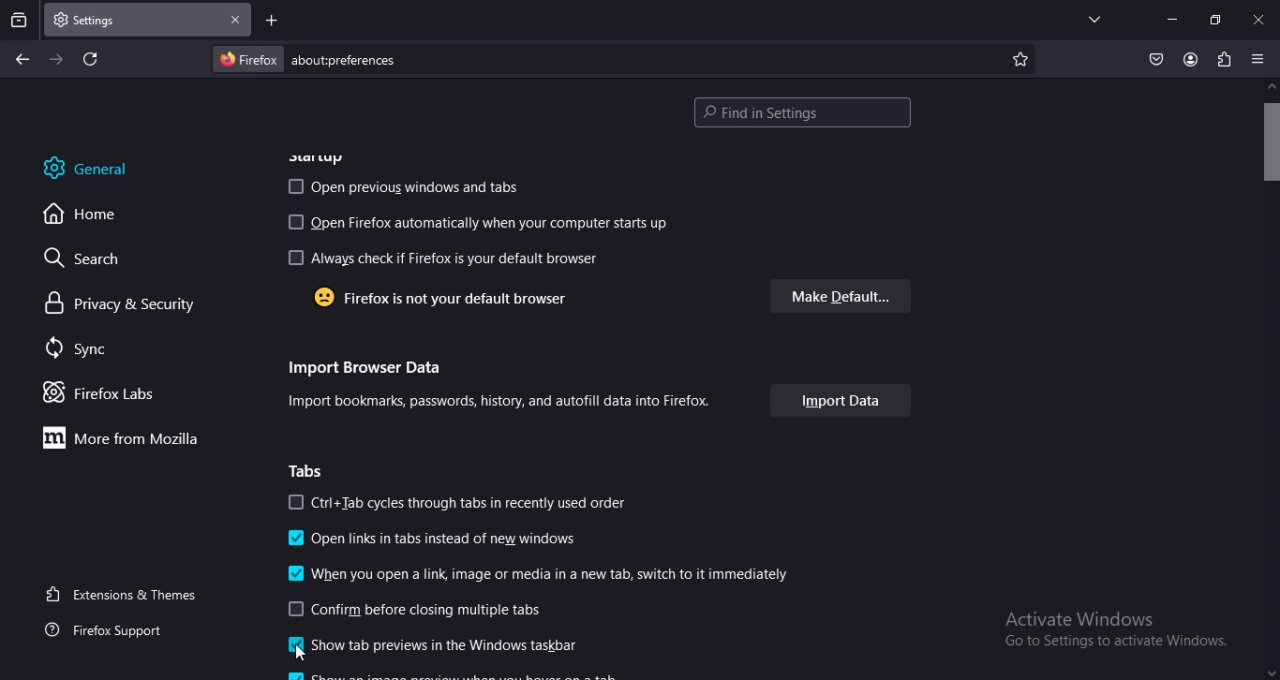 The width and height of the screenshot is (1280, 680). What do you see at coordinates (96, 167) in the screenshot?
I see `general` at bounding box center [96, 167].